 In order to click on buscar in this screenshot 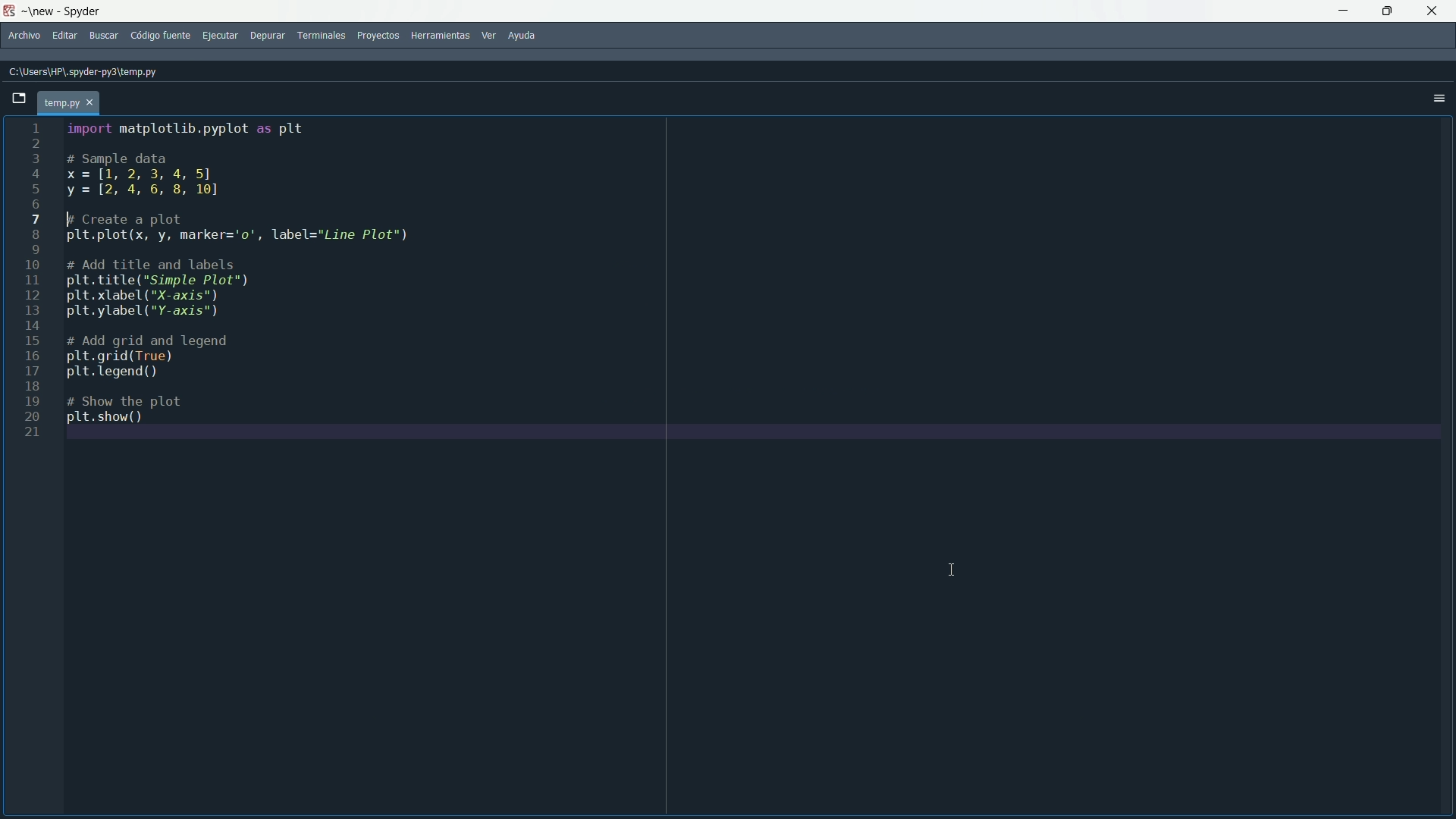, I will do `click(105, 35)`.